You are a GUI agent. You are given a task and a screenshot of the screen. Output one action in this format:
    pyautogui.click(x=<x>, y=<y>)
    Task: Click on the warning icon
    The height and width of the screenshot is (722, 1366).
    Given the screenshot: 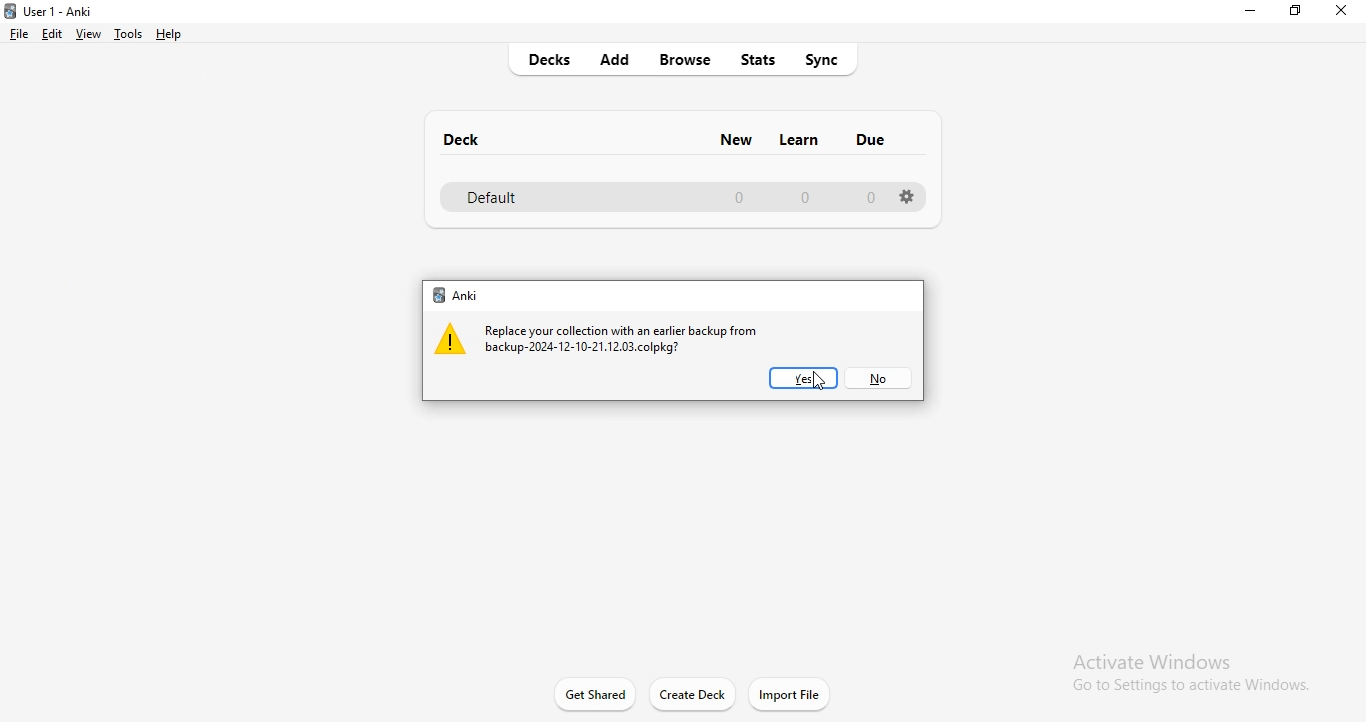 What is the action you would take?
    pyautogui.click(x=446, y=342)
    